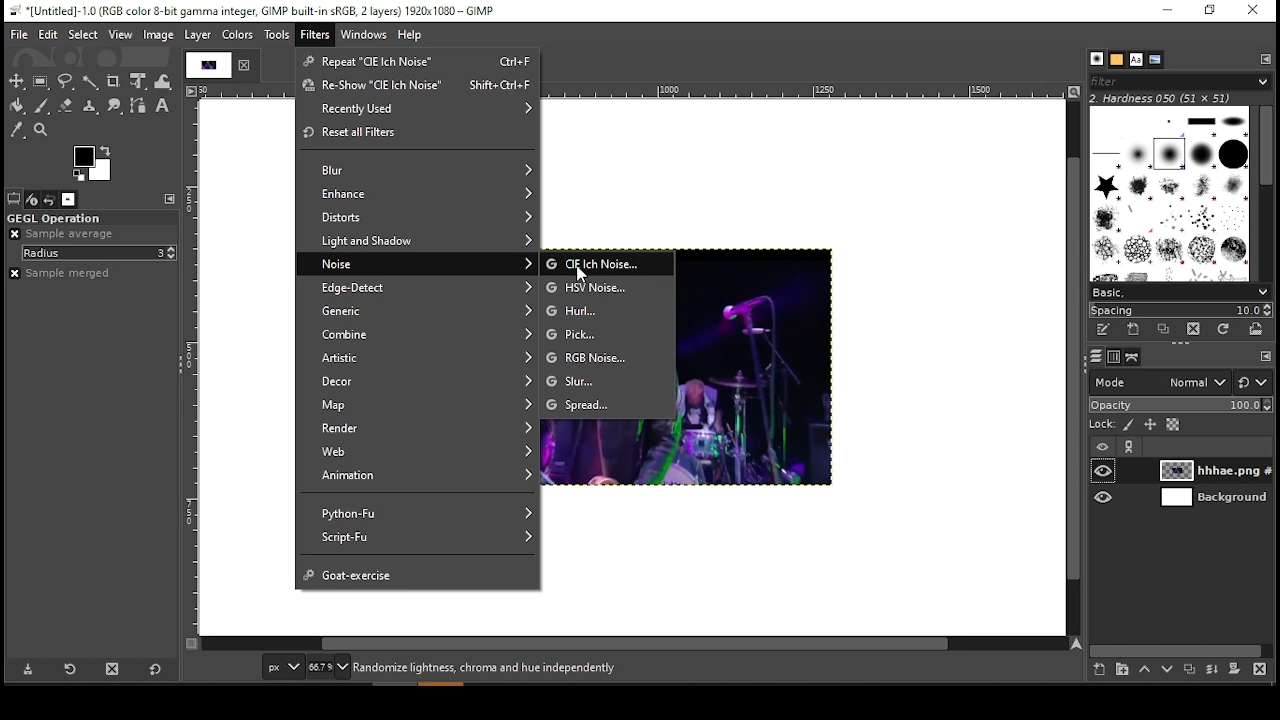 Image resolution: width=1280 pixels, height=720 pixels. Describe the element at coordinates (422, 406) in the screenshot. I see `map` at that location.